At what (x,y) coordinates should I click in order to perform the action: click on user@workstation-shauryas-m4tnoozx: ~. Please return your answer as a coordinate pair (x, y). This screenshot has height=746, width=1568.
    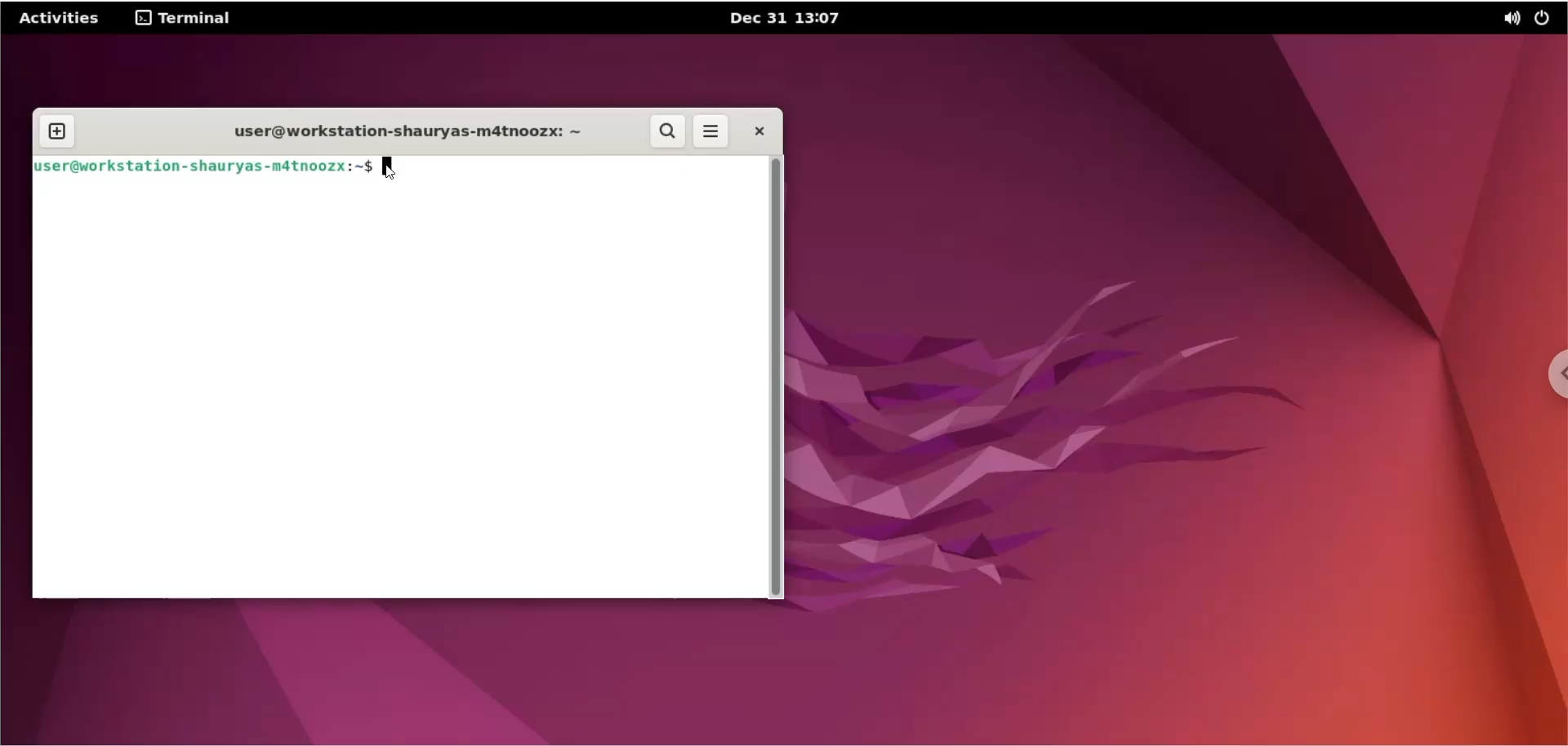
    Looking at the image, I should click on (419, 134).